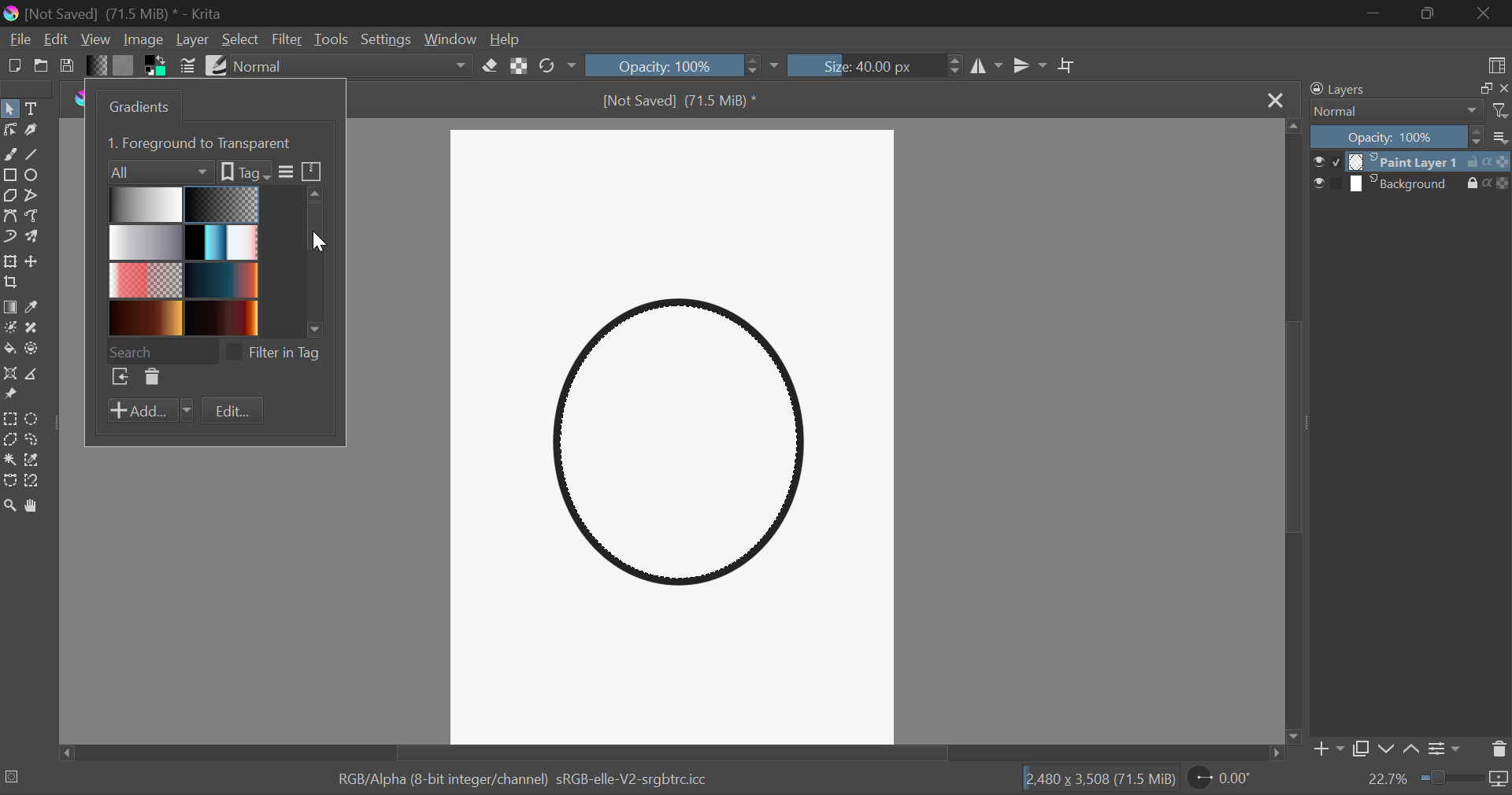 The width and height of the screenshot is (1512, 795). Describe the element at coordinates (99, 68) in the screenshot. I see `Gradient` at that location.